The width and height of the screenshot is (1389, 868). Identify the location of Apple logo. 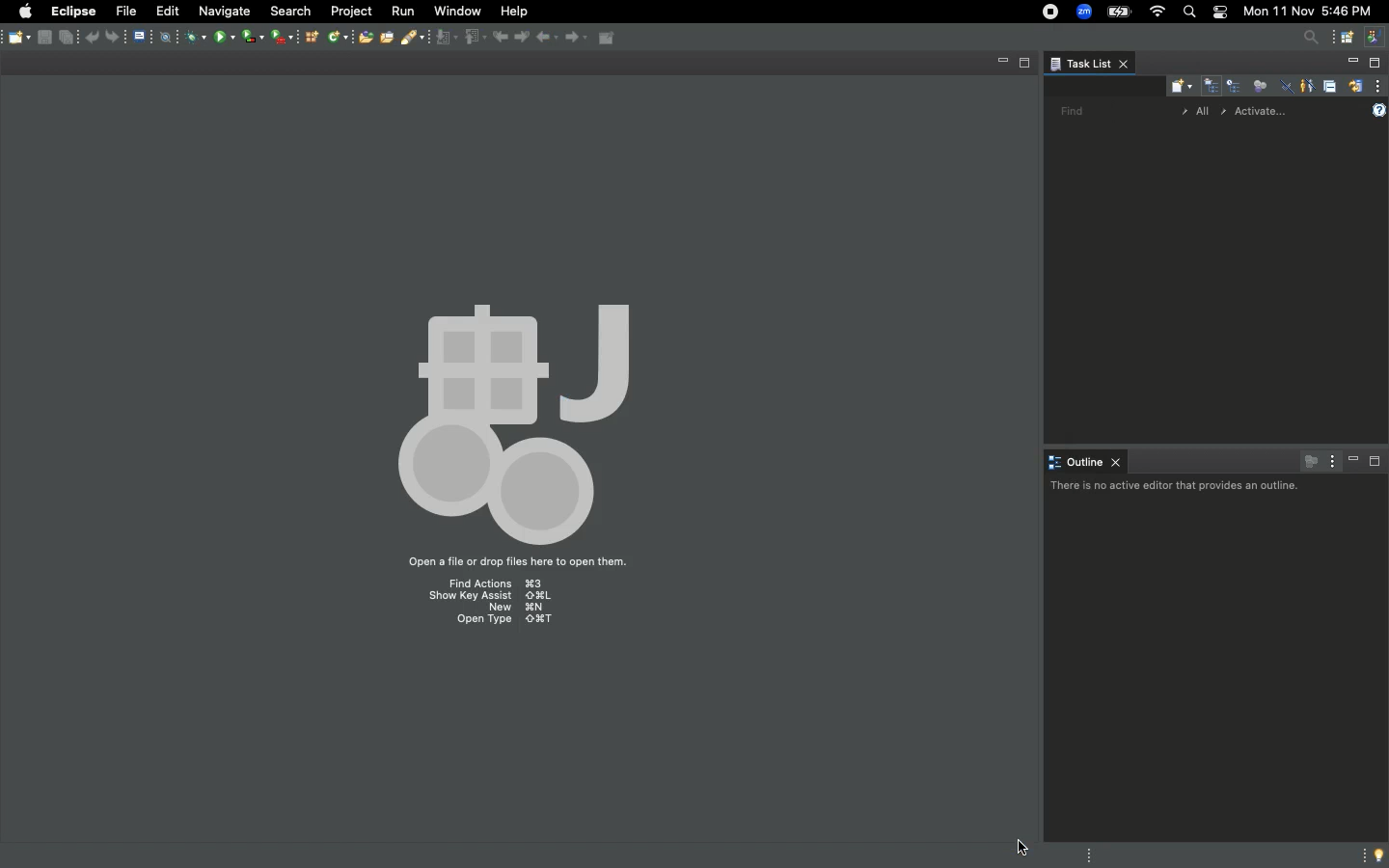
(26, 12).